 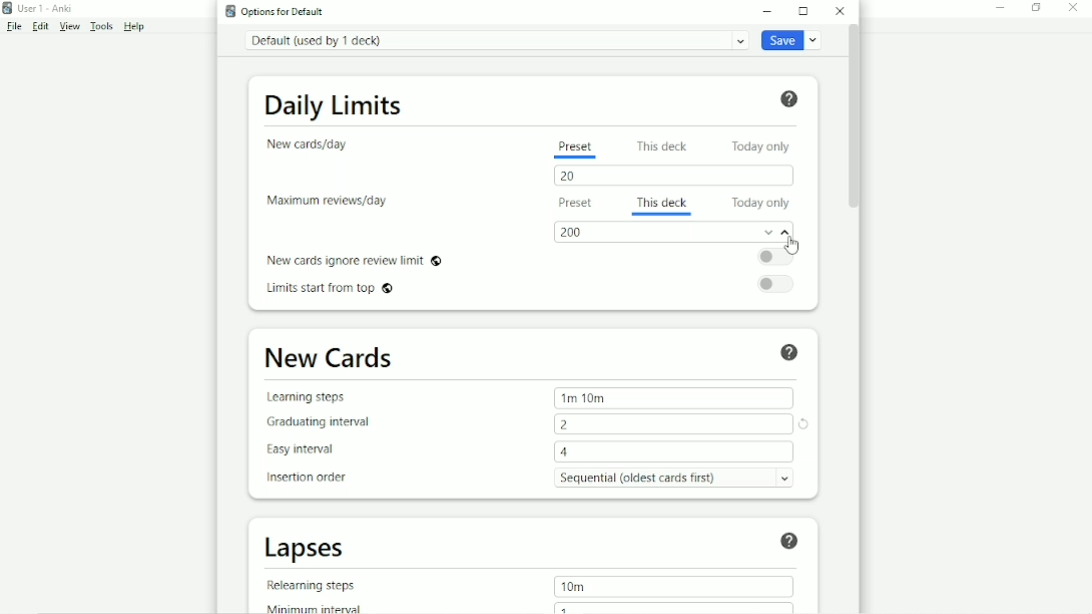 I want to click on Close, so click(x=1073, y=8).